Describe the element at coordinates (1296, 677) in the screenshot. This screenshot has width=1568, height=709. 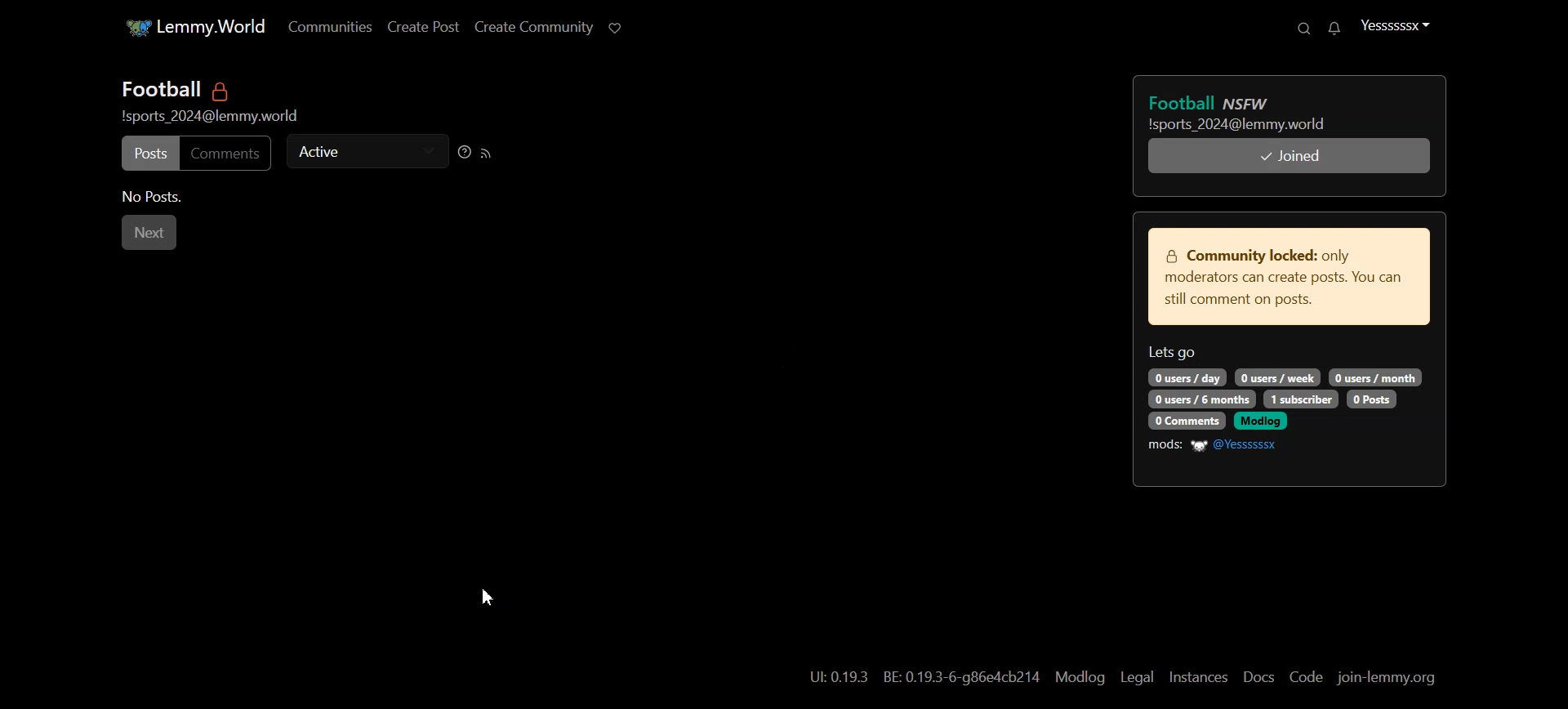
I see `Code` at that location.